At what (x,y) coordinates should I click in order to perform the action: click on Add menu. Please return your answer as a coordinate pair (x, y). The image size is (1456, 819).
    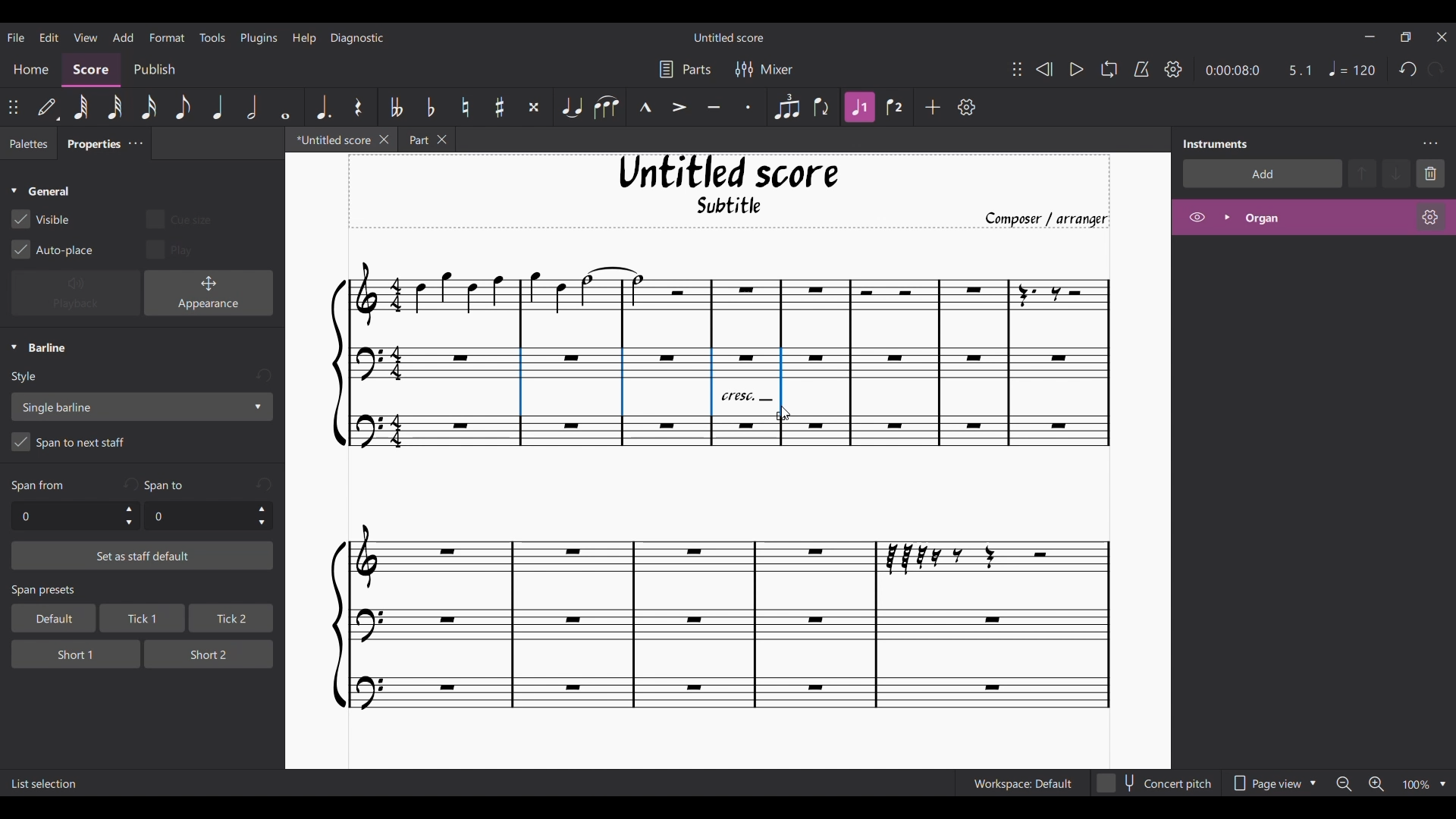
    Looking at the image, I should click on (123, 36).